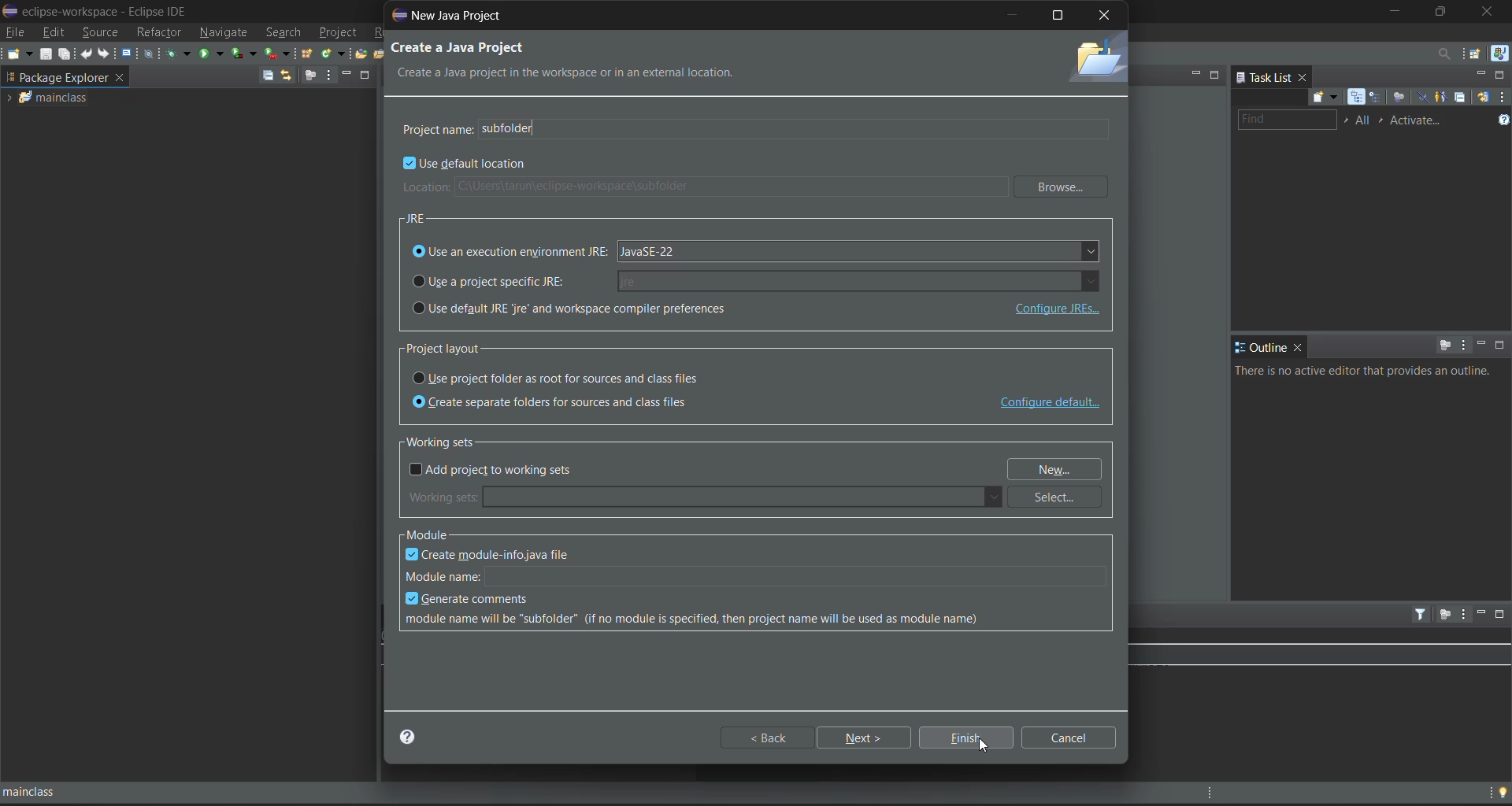  Describe the element at coordinates (702, 187) in the screenshot. I see `location` at that location.